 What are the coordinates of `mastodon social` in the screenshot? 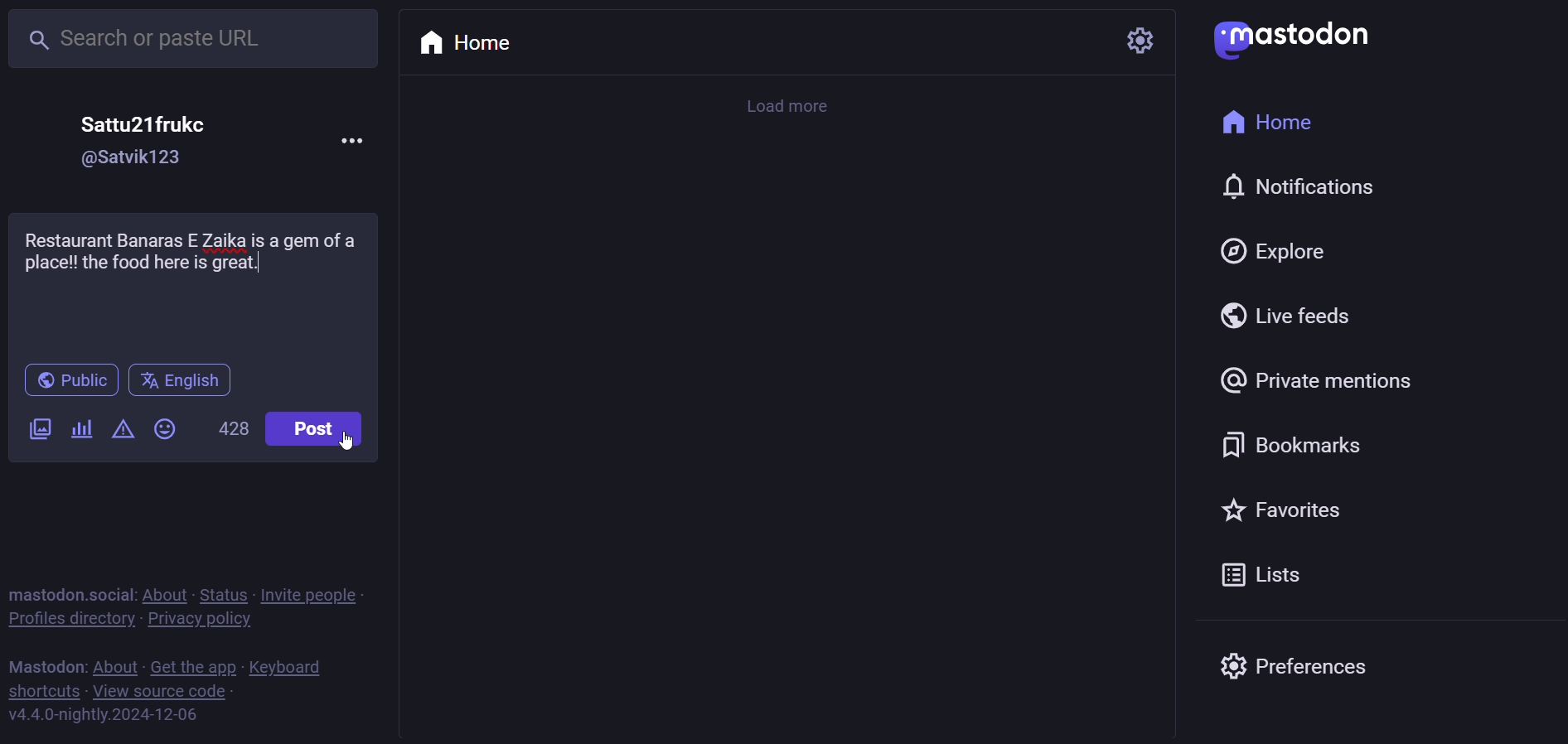 It's located at (72, 594).